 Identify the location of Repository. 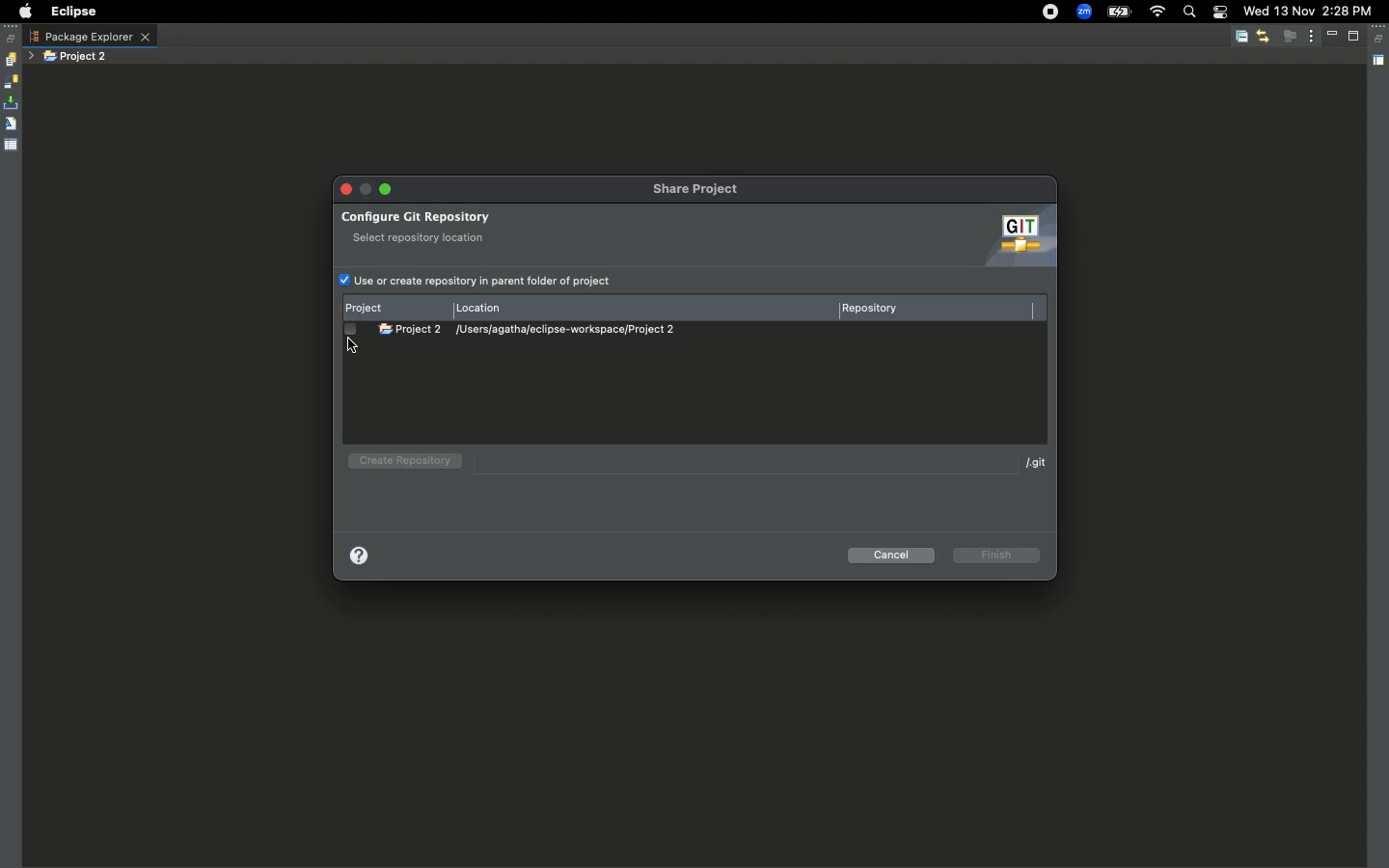
(876, 311).